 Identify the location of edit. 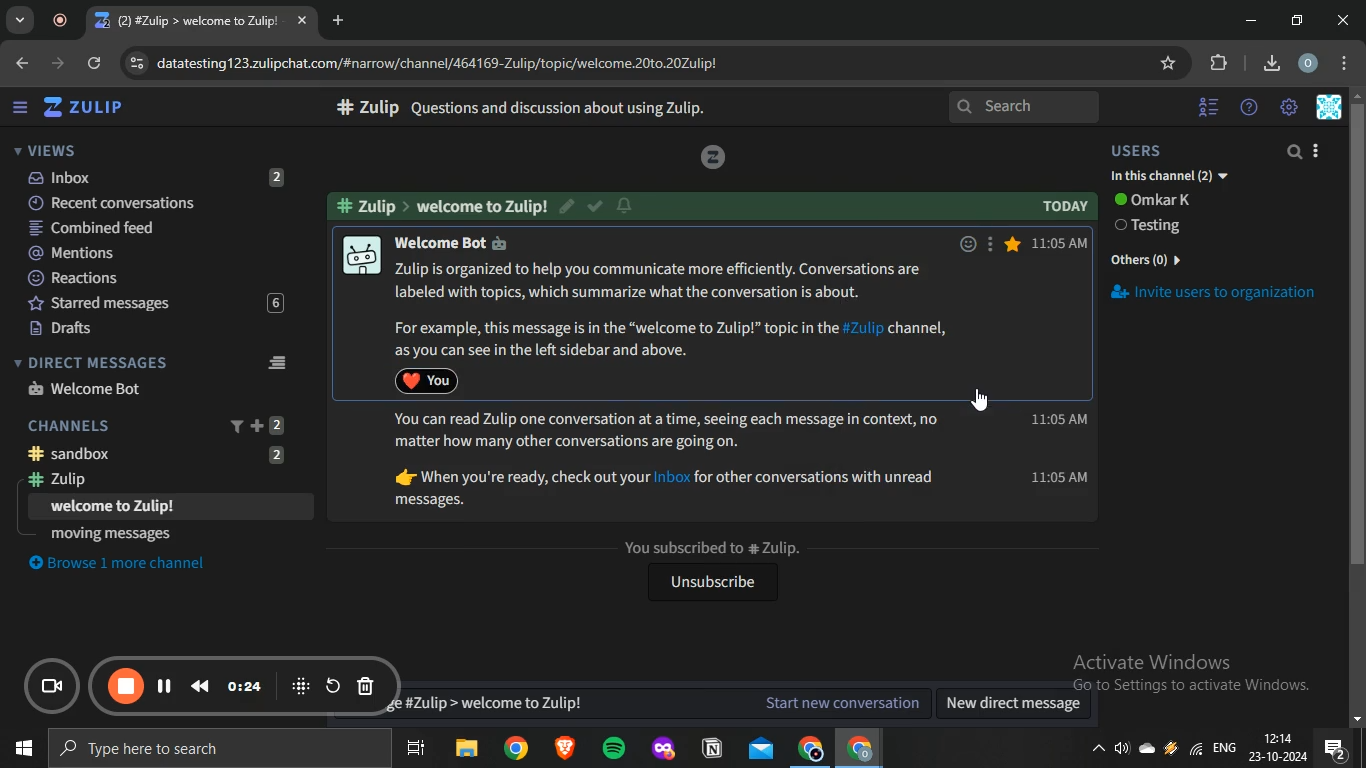
(569, 204).